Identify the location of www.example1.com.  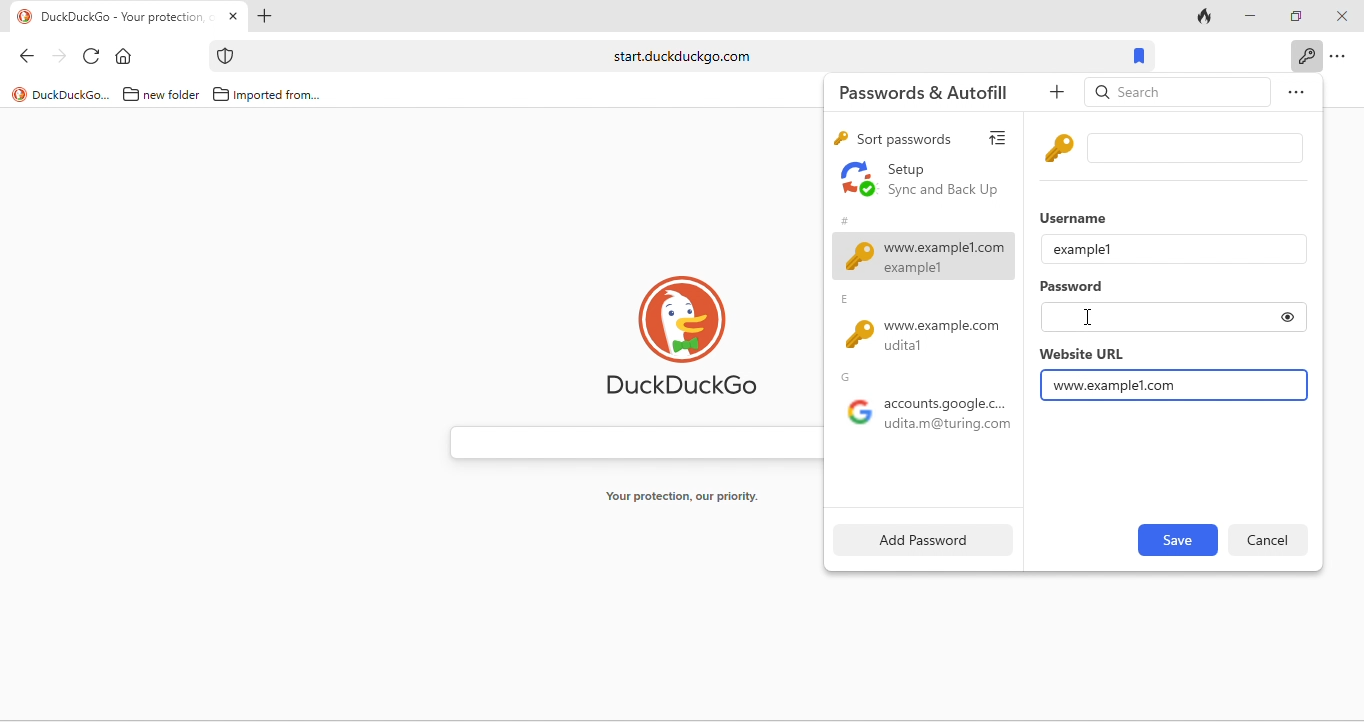
(1117, 385).